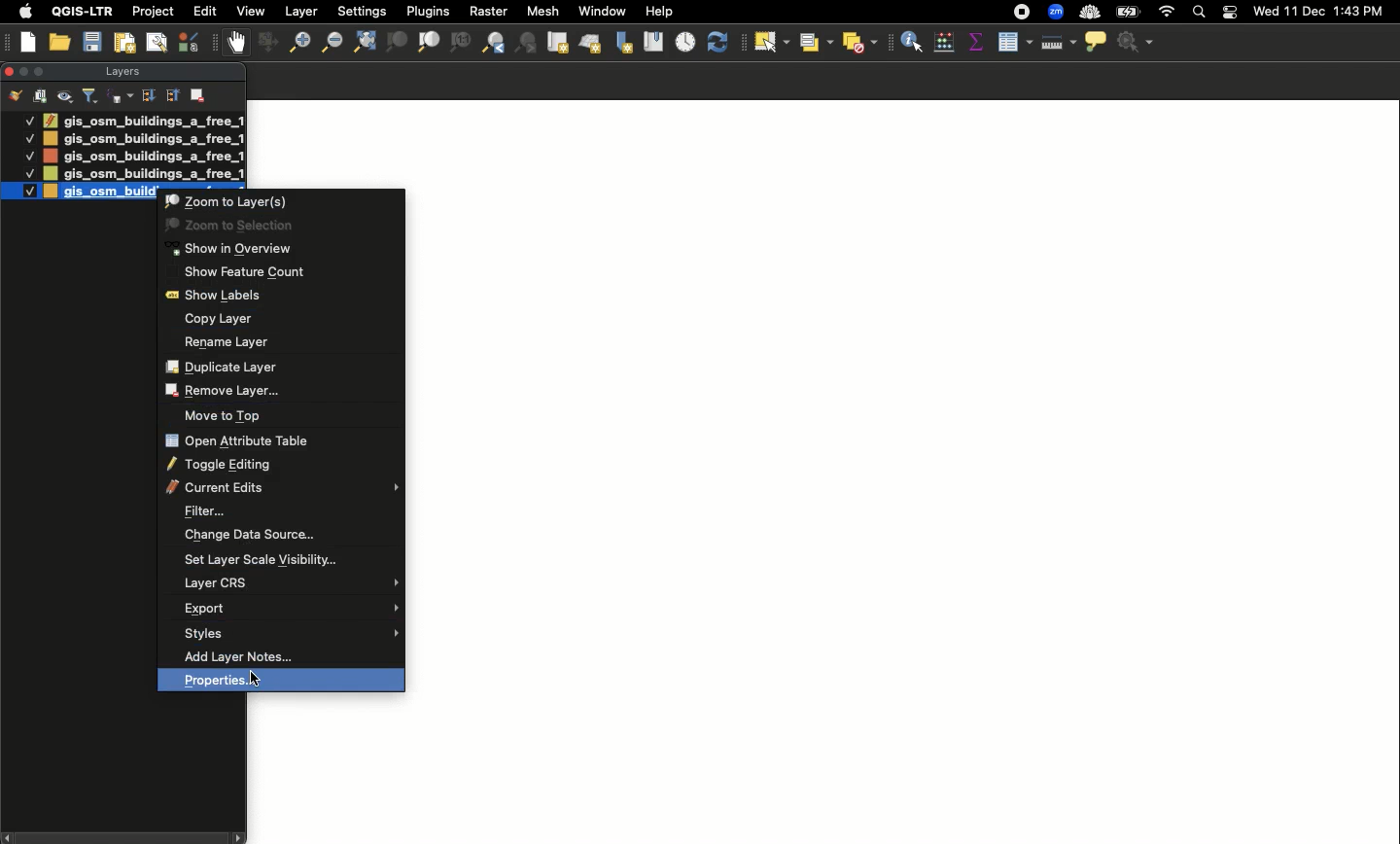 The height and width of the screenshot is (844, 1400). What do you see at coordinates (9, 71) in the screenshot?
I see `Clsoe` at bounding box center [9, 71].